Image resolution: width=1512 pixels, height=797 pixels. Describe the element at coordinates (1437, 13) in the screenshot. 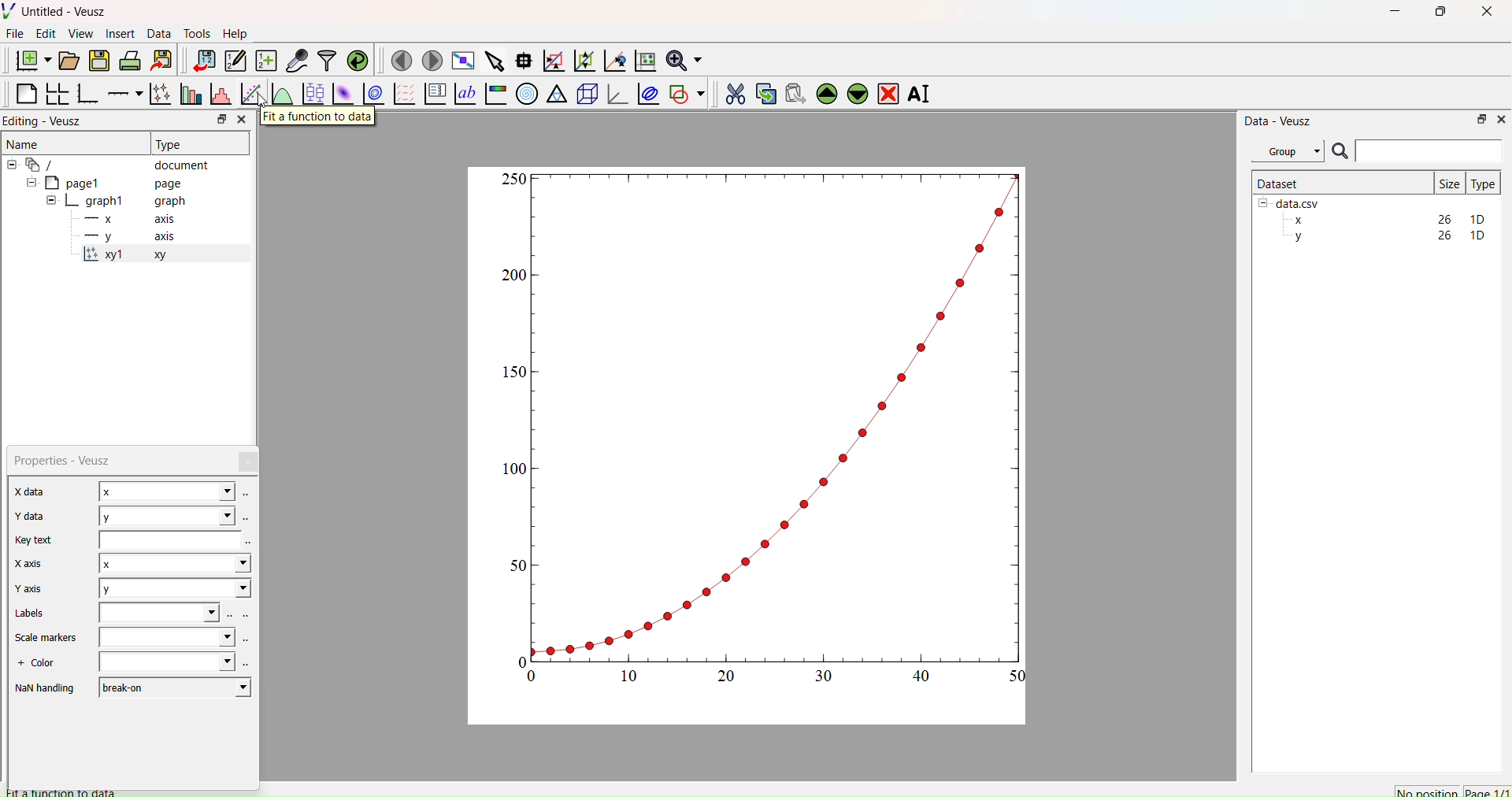

I see `Restore Down` at that location.